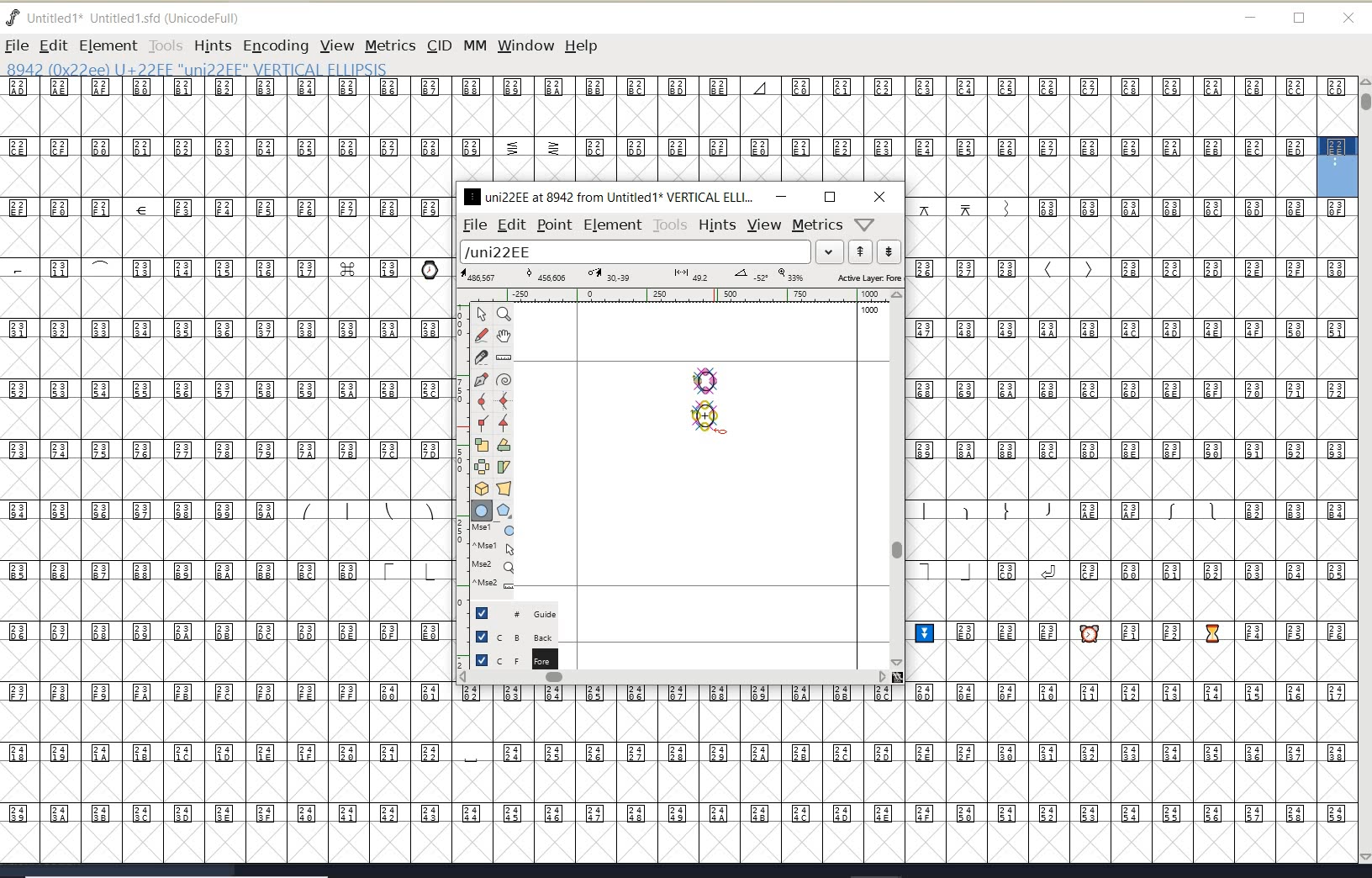  I want to click on scale the selection, so click(482, 445).